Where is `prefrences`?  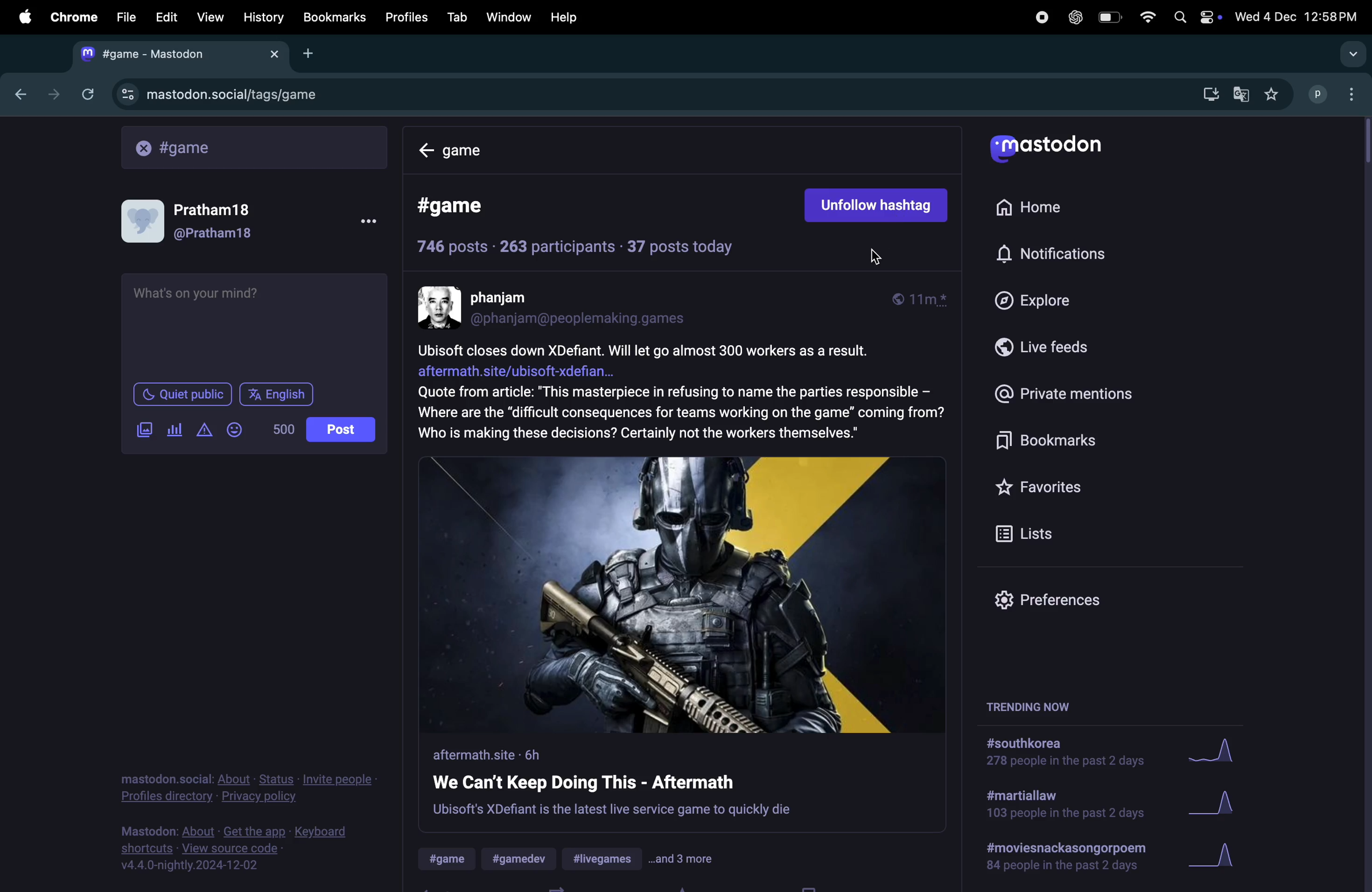 prefrences is located at coordinates (1049, 600).